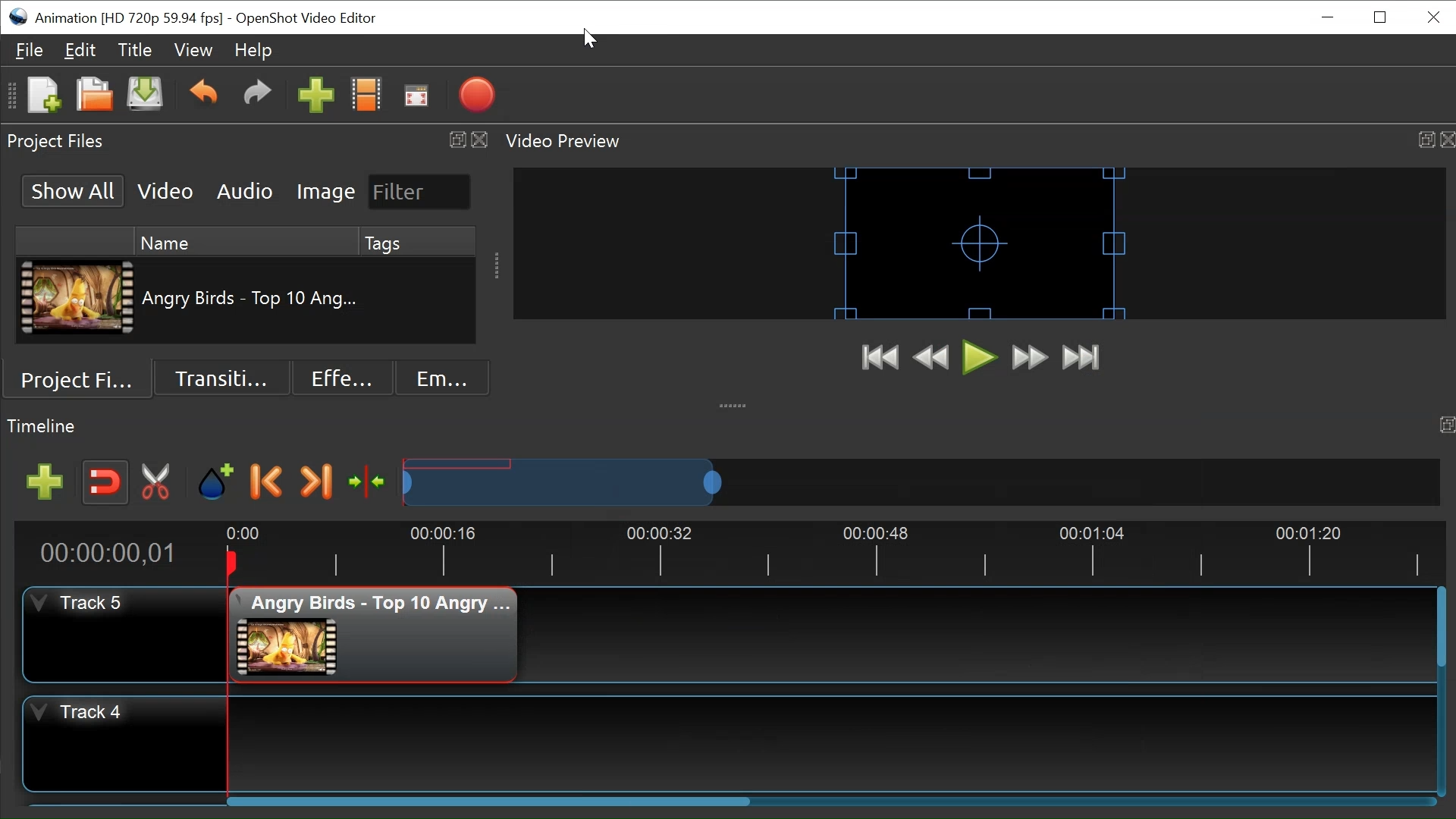 Image resolution: width=1456 pixels, height=819 pixels. Describe the element at coordinates (417, 191) in the screenshot. I see `Filter` at that location.